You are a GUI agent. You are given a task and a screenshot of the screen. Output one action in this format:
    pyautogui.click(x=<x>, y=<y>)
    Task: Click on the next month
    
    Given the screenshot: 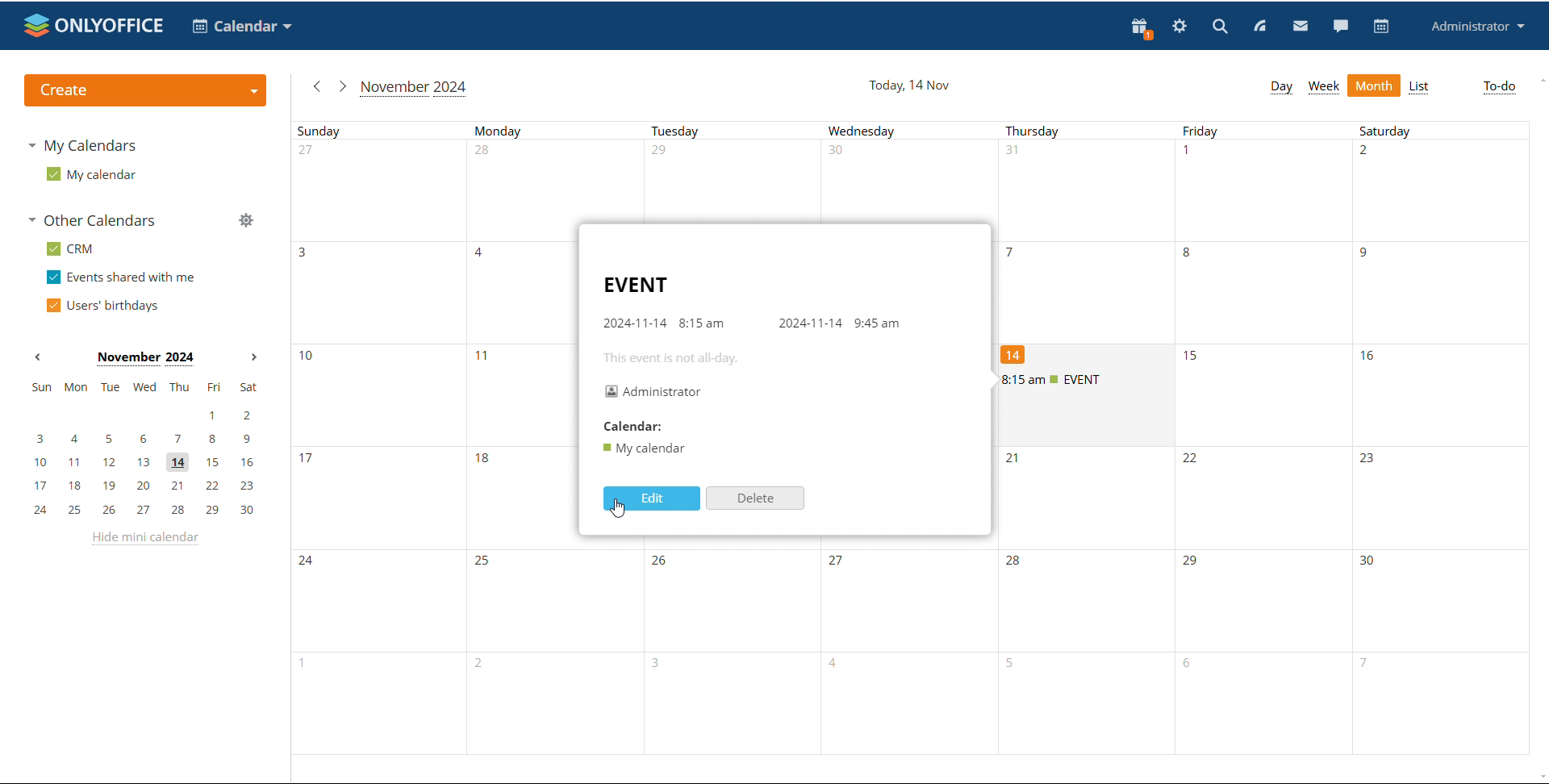 What is the action you would take?
    pyautogui.click(x=341, y=85)
    